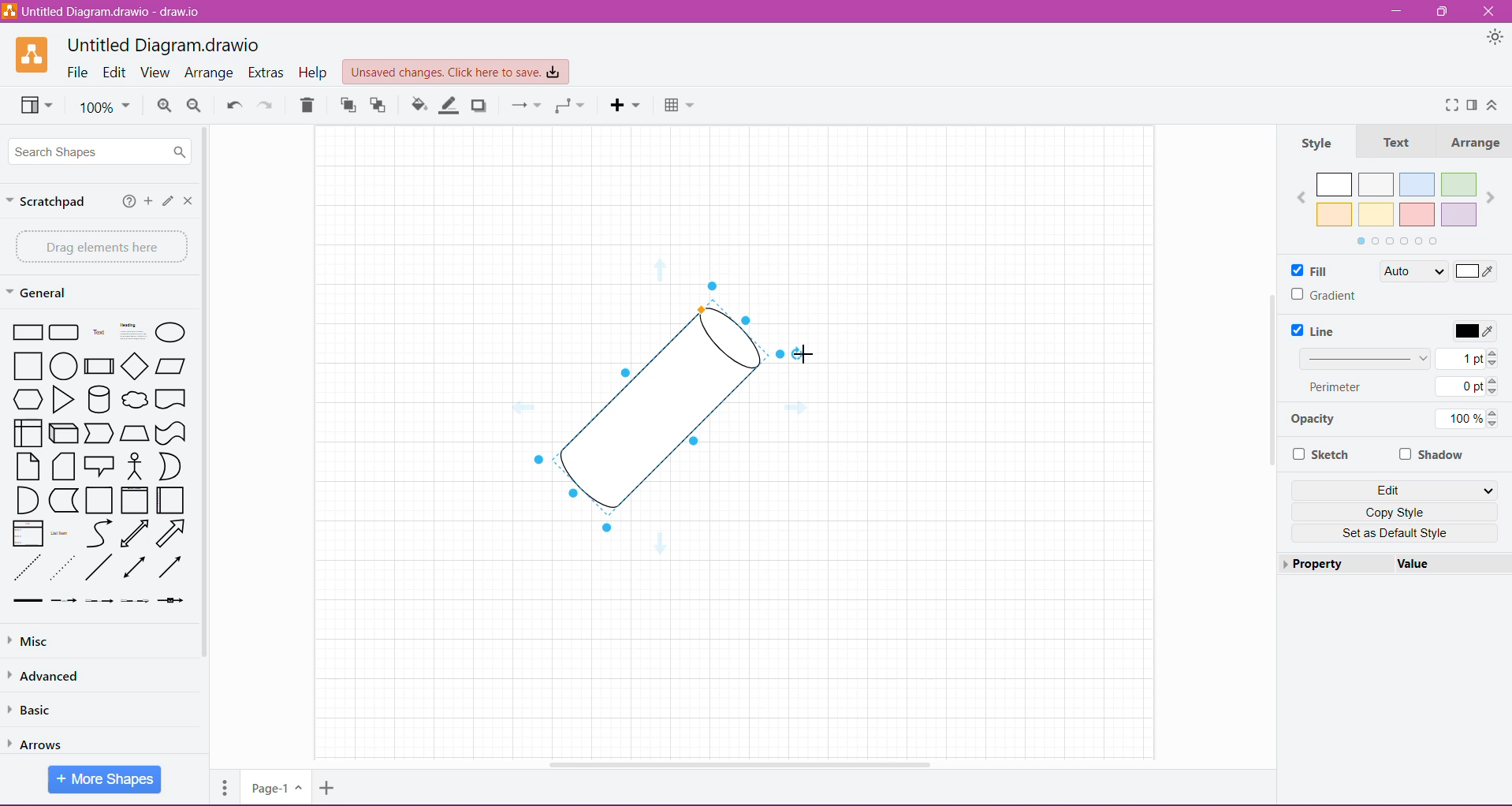 This screenshot has height=806, width=1512. I want to click on Advanced, so click(50, 675).